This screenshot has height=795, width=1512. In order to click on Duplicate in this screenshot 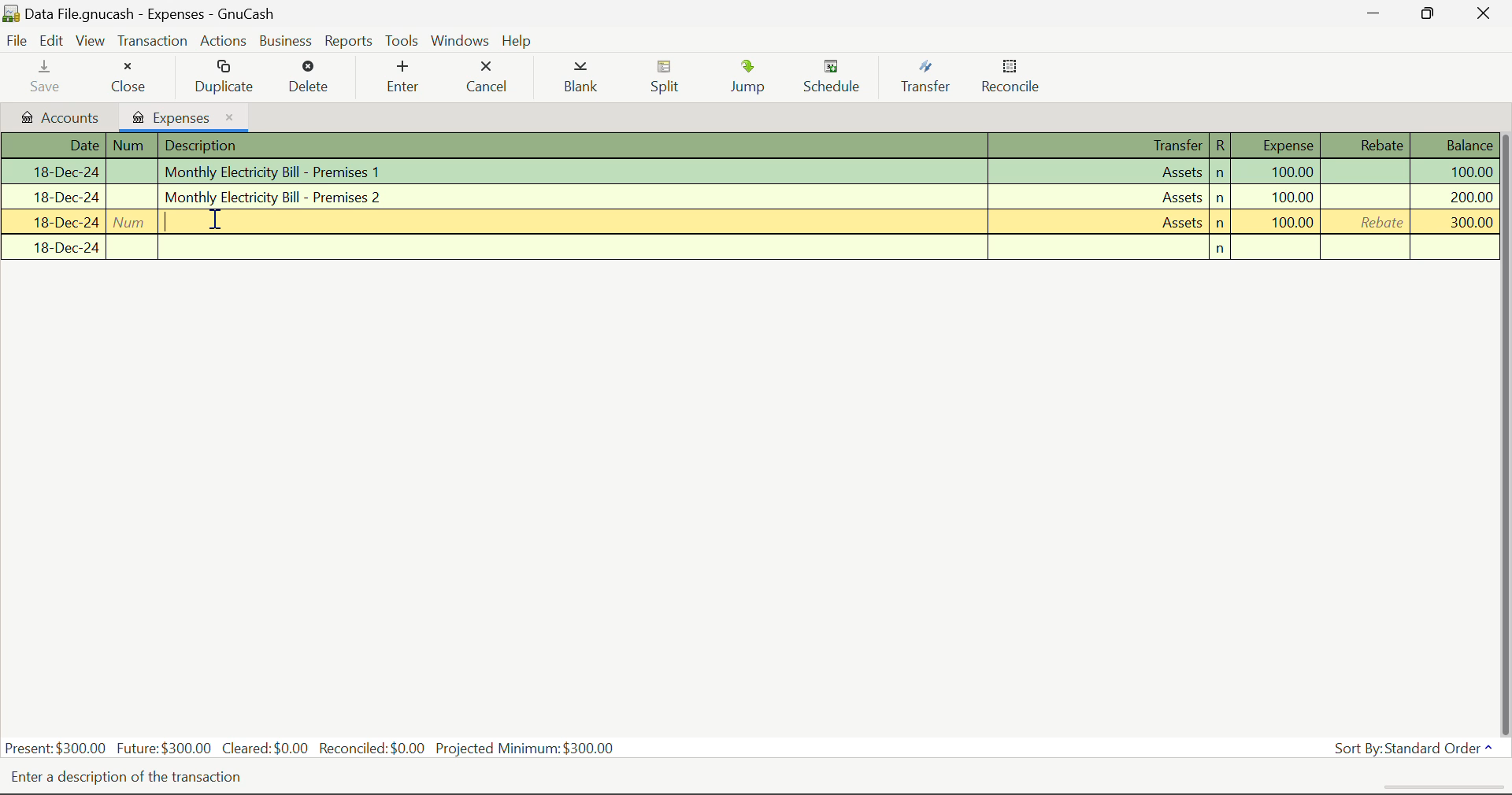, I will do `click(225, 78)`.